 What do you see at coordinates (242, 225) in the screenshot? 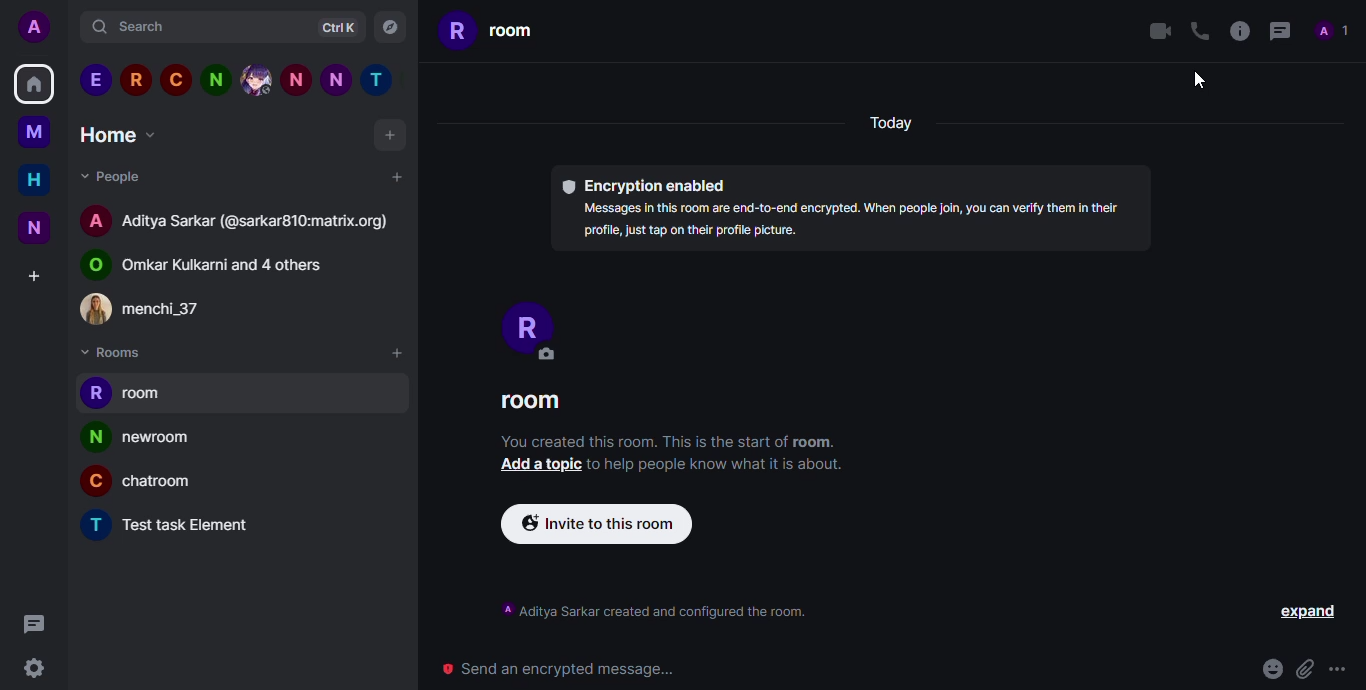
I see `account` at bounding box center [242, 225].